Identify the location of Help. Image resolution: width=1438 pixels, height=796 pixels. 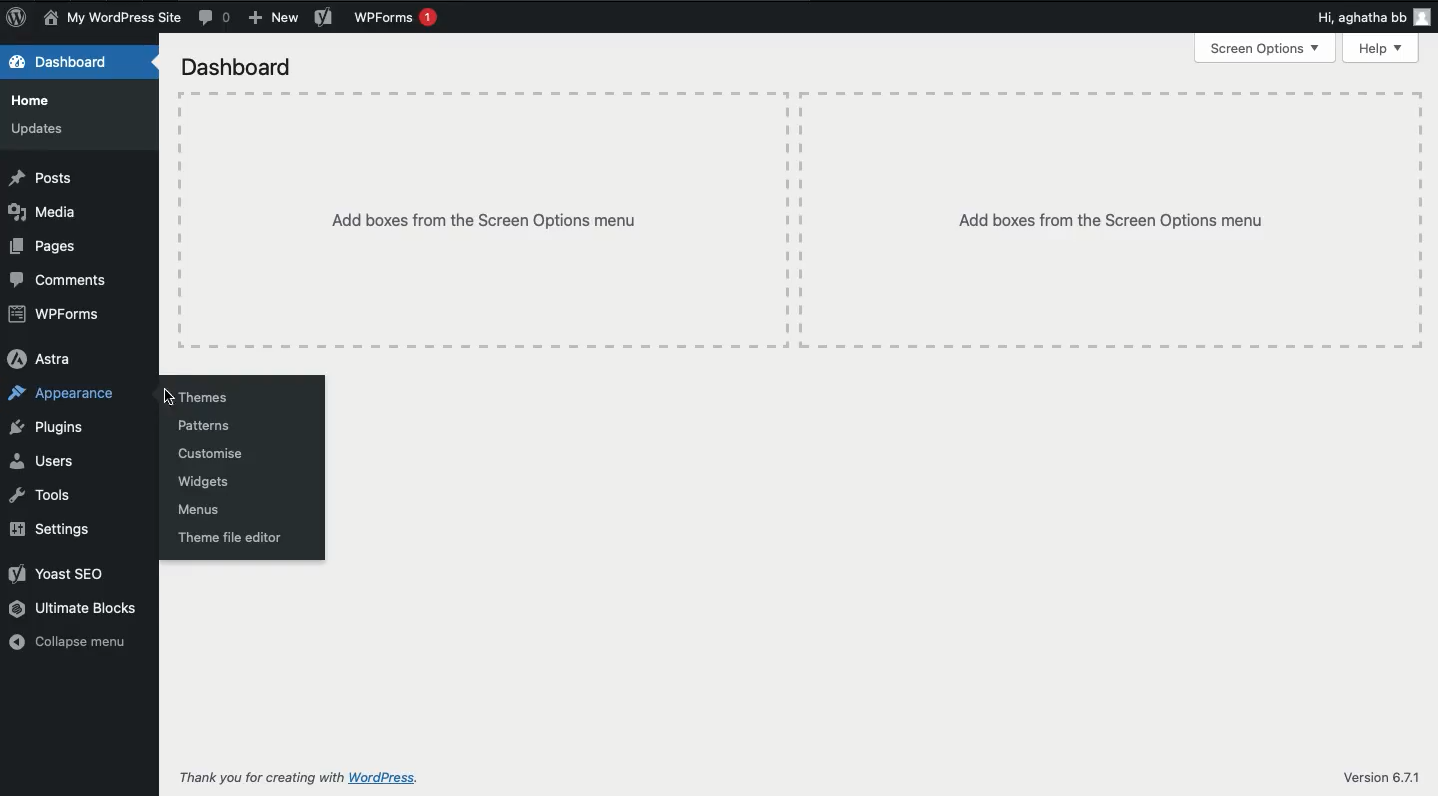
(1382, 48).